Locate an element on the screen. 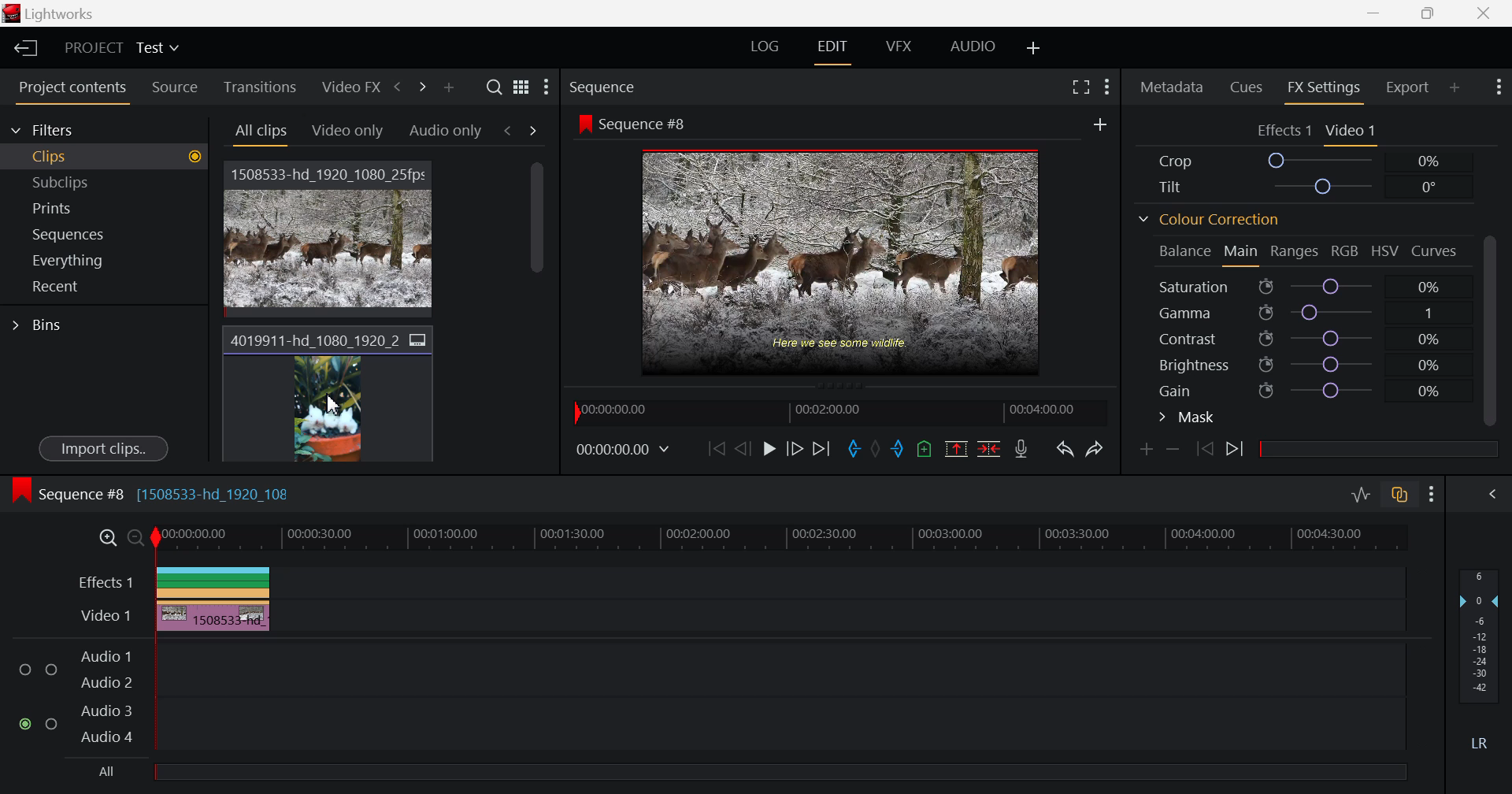 The height and width of the screenshot is (794, 1512). Everything is located at coordinates (99, 260).